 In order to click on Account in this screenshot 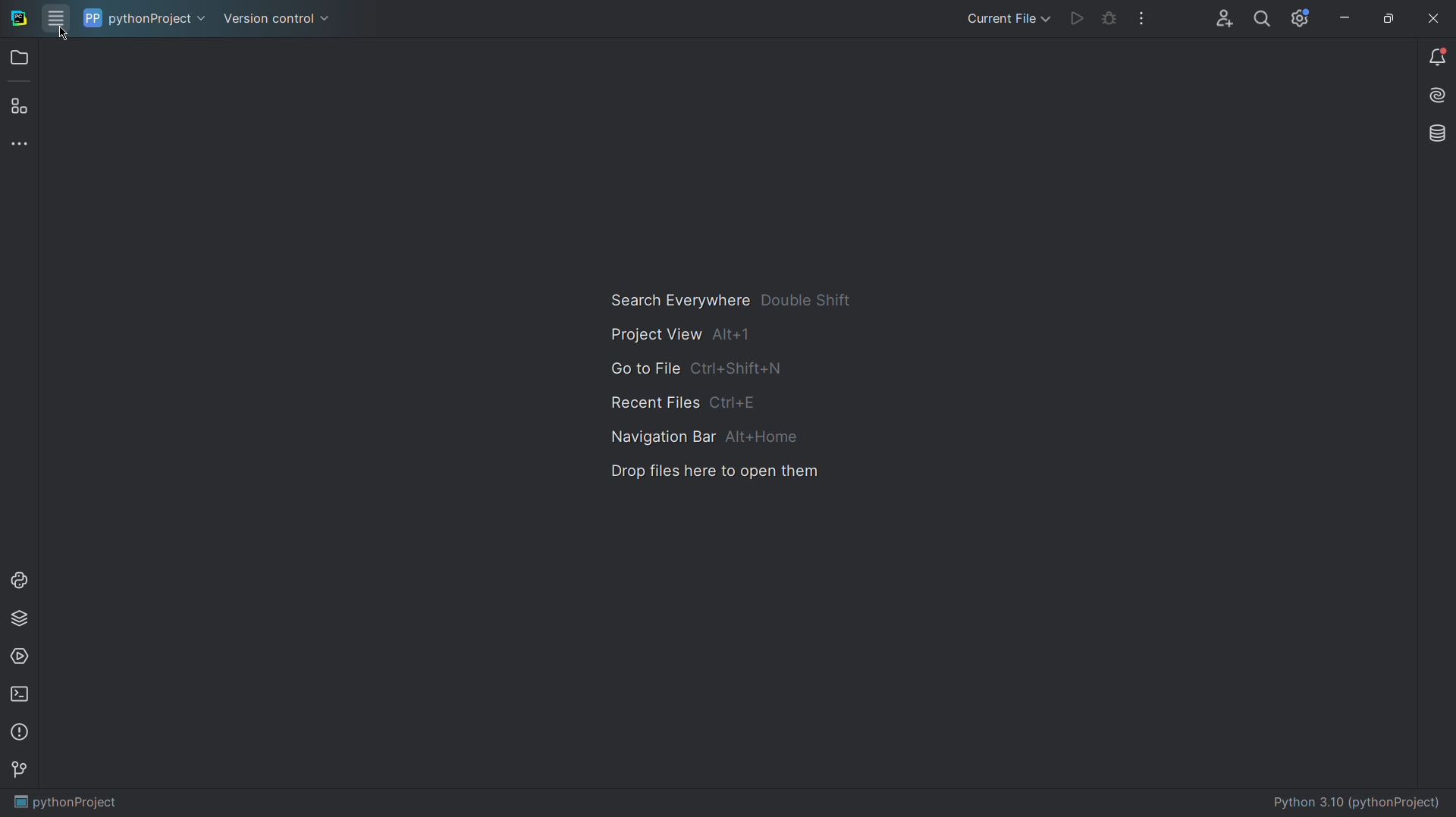, I will do `click(1230, 19)`.